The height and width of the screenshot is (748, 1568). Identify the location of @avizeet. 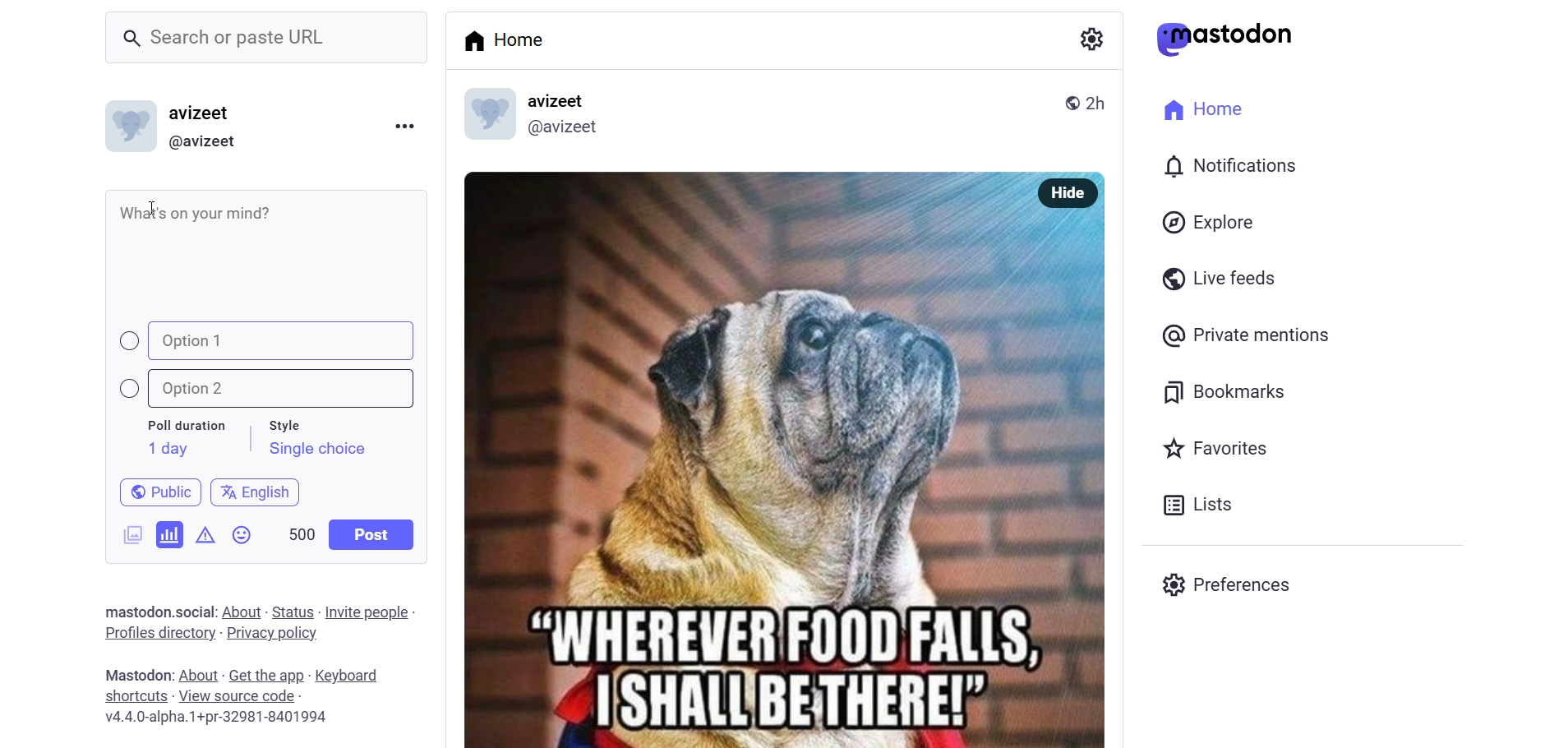
(202, 142).